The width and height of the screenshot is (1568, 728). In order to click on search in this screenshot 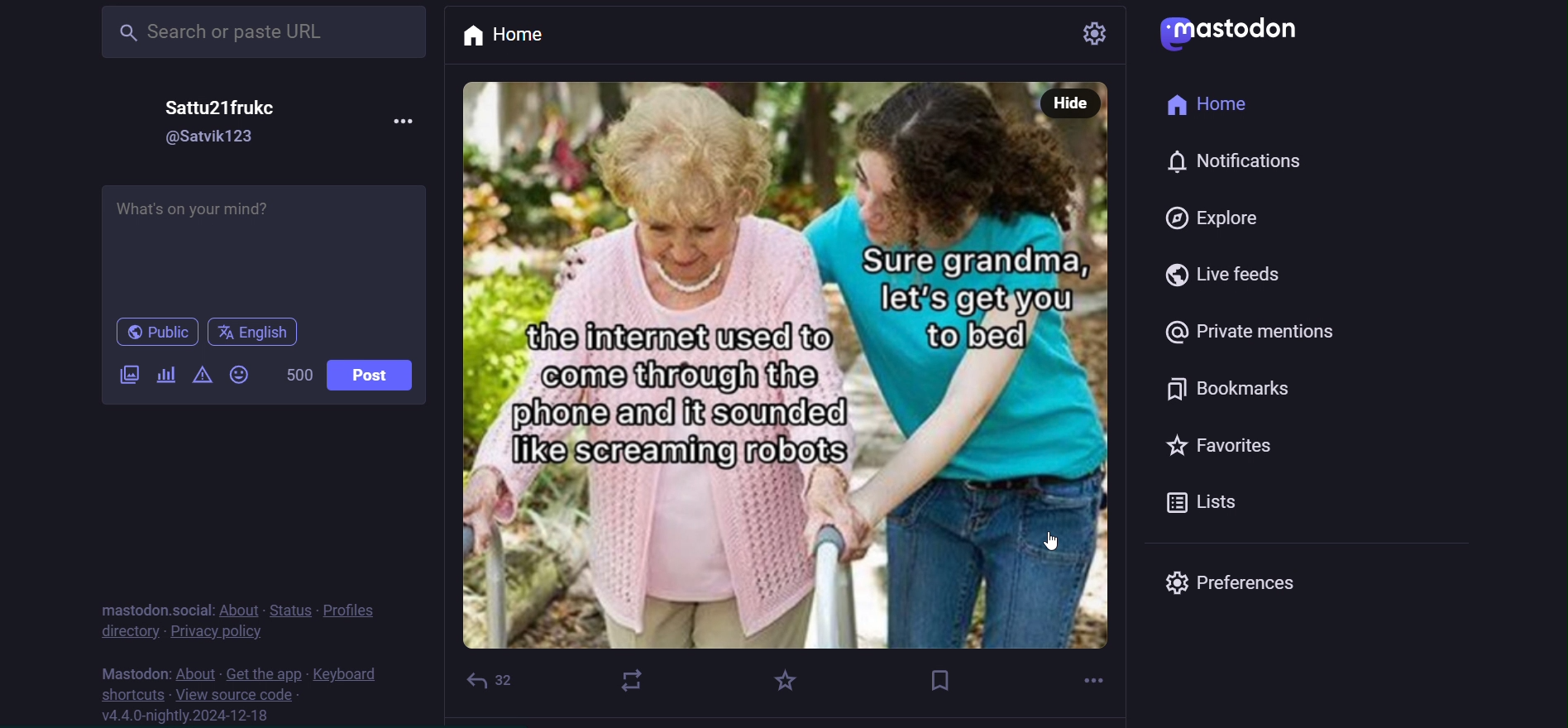, I will do `click(264, 33)`.